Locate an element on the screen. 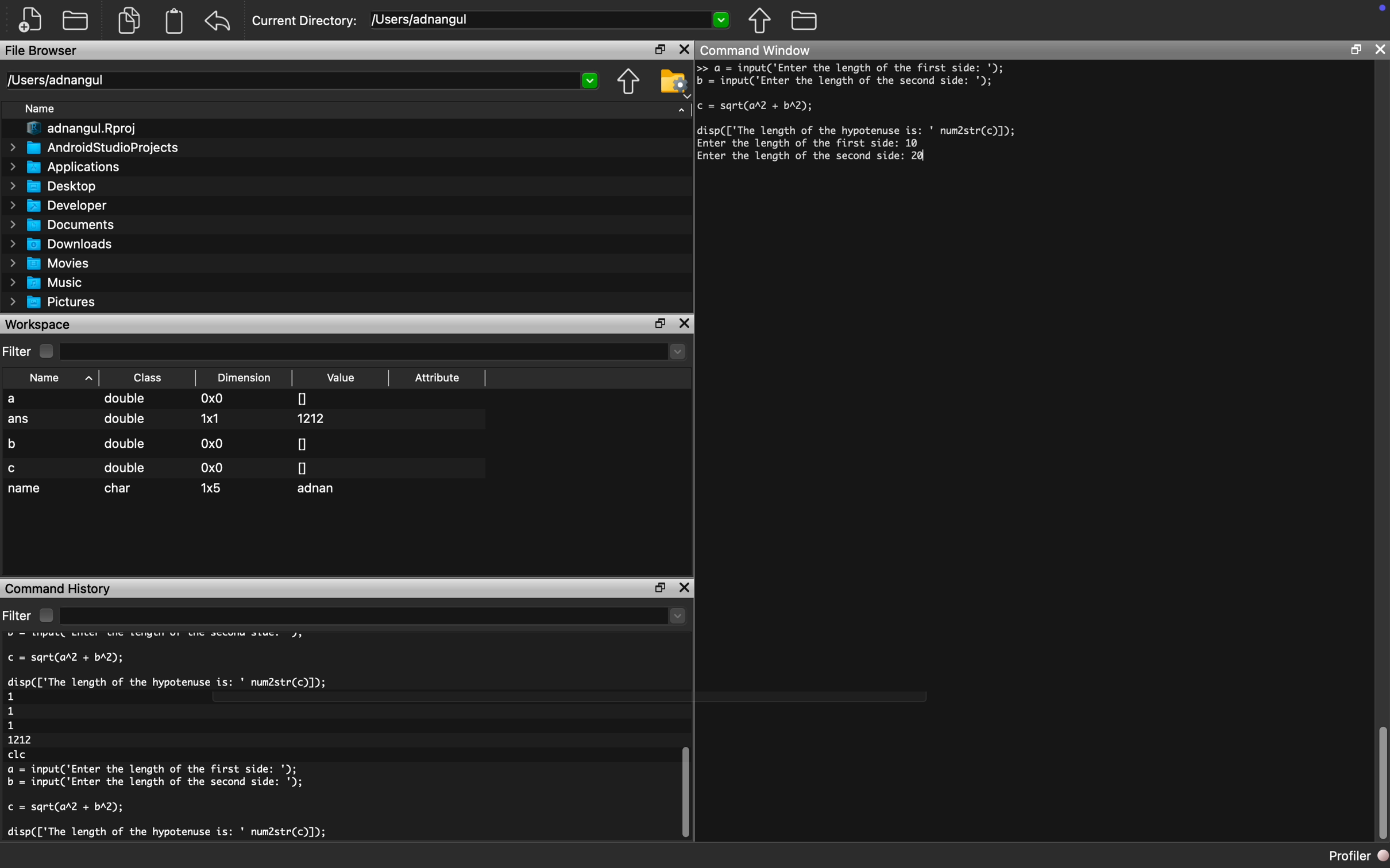 The image size is (1390, 868). 0x0 is located at coordinates (214, 400).